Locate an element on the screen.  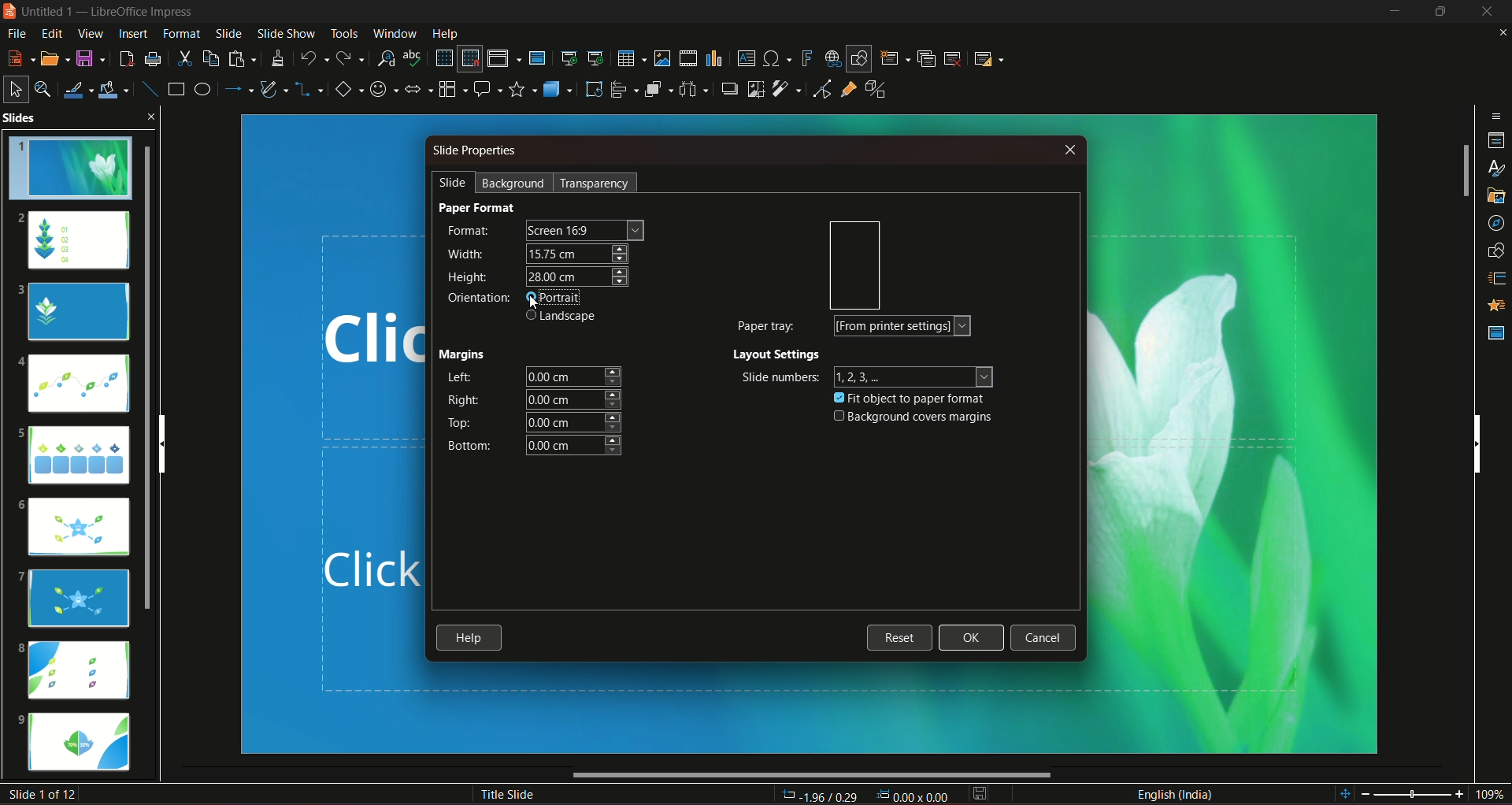
navigator is located at coordinates (1494, 223).